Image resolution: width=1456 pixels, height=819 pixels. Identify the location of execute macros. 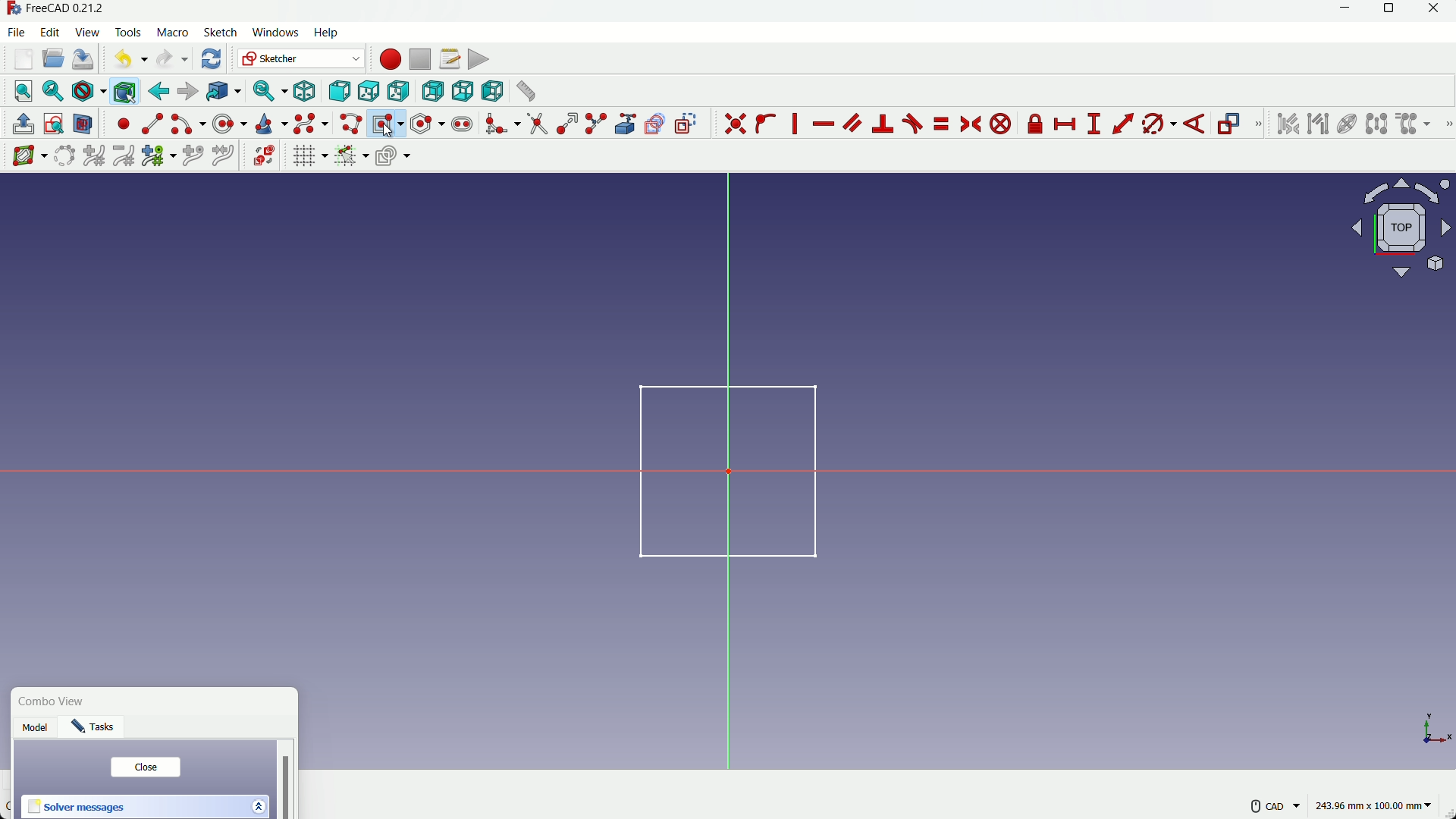
(479, 59).